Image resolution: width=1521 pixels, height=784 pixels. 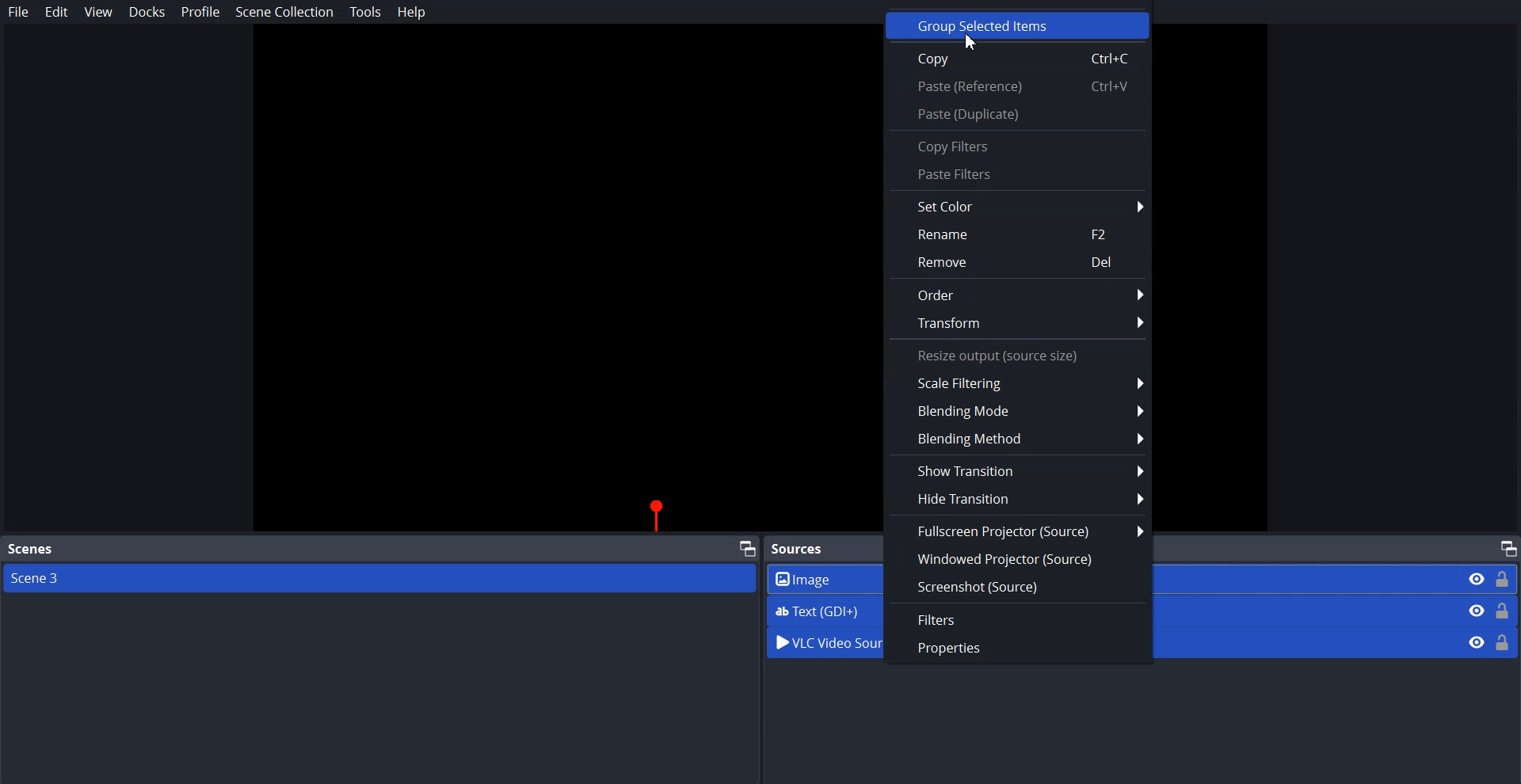 What do you see at coordinates (1489, 611) in the screenshot?
I see `Text (GDI+)` at bounding box center [1489, 611].